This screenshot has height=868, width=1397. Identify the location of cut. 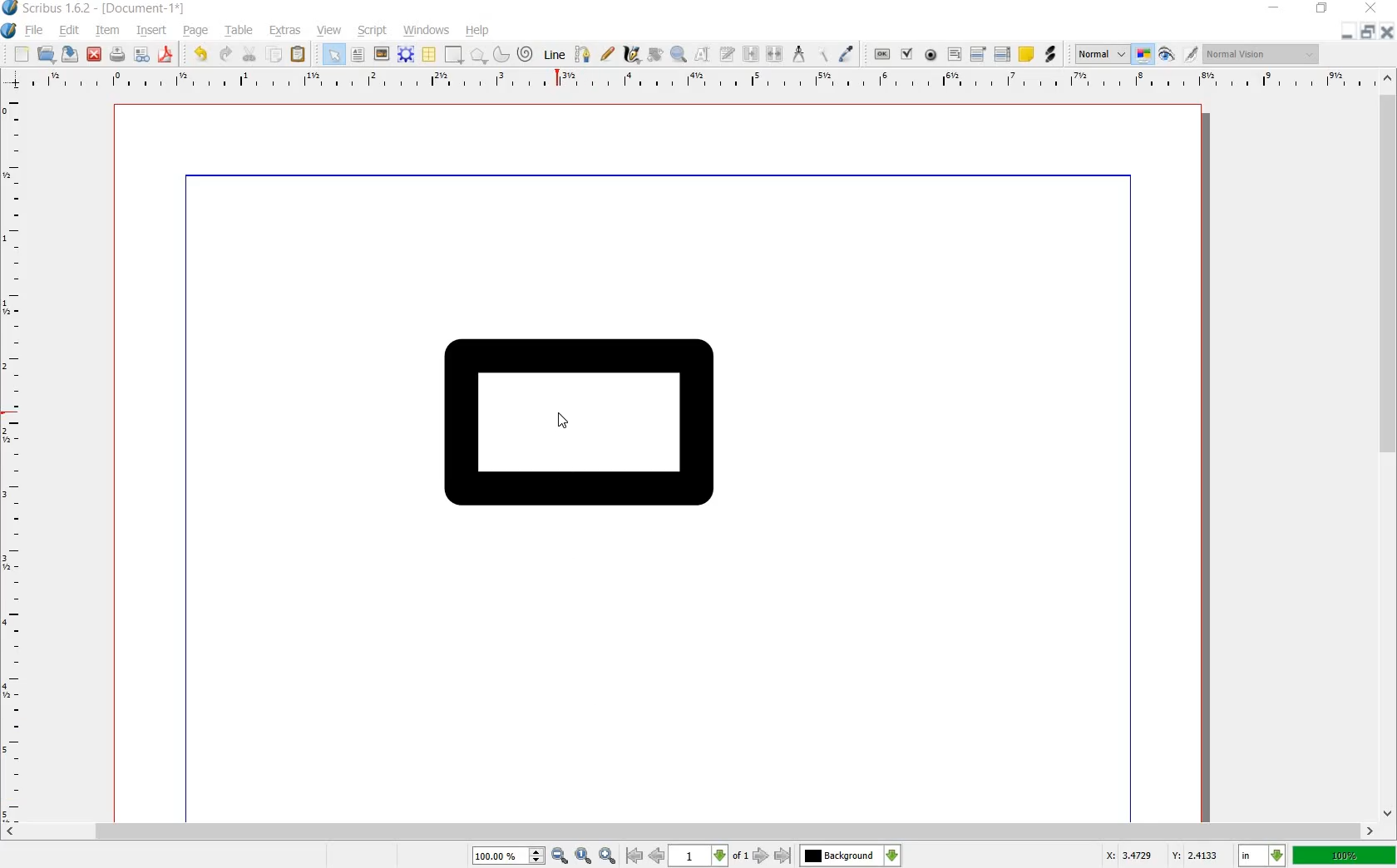
(248, 55).